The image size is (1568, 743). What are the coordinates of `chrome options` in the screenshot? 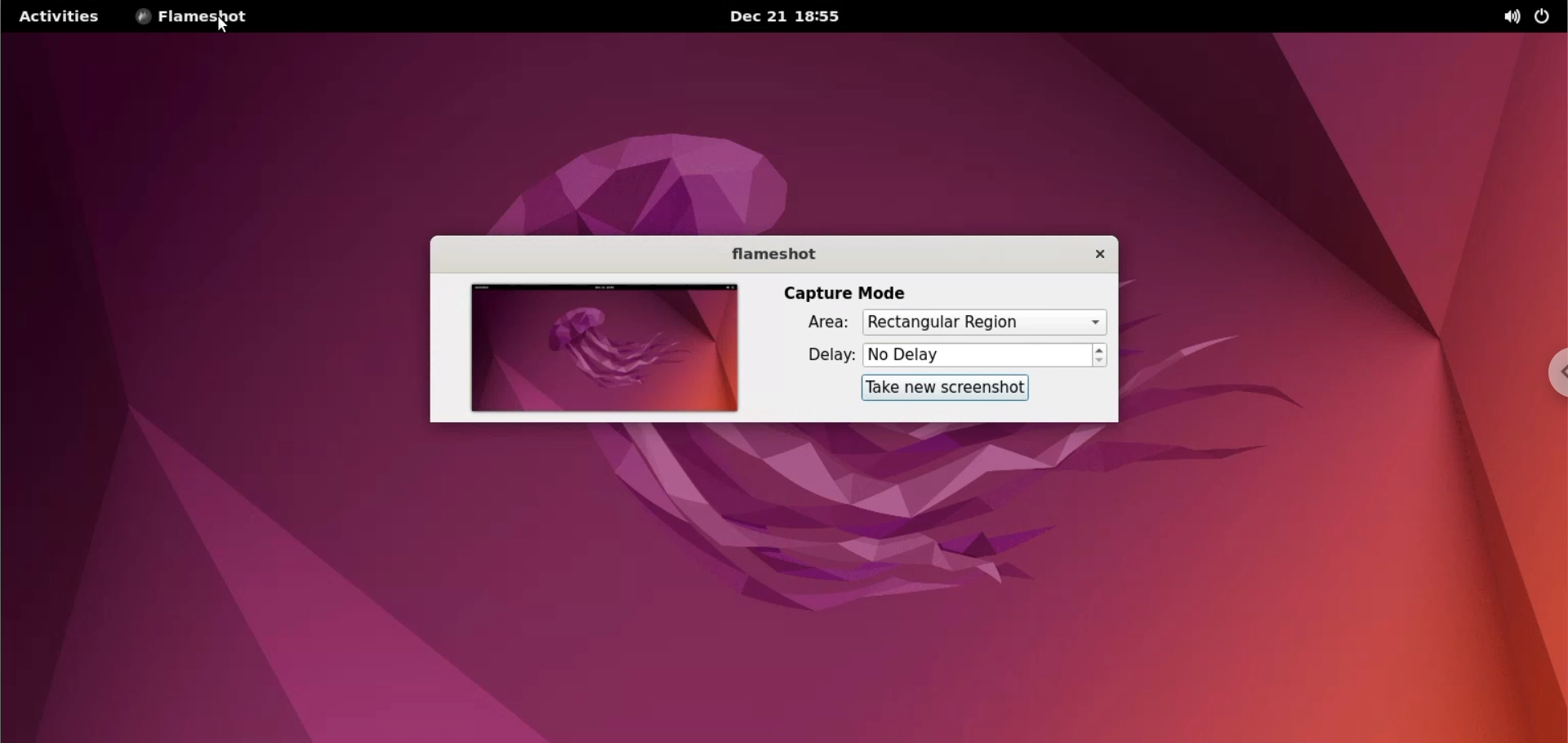 It's located at (1548, 377).